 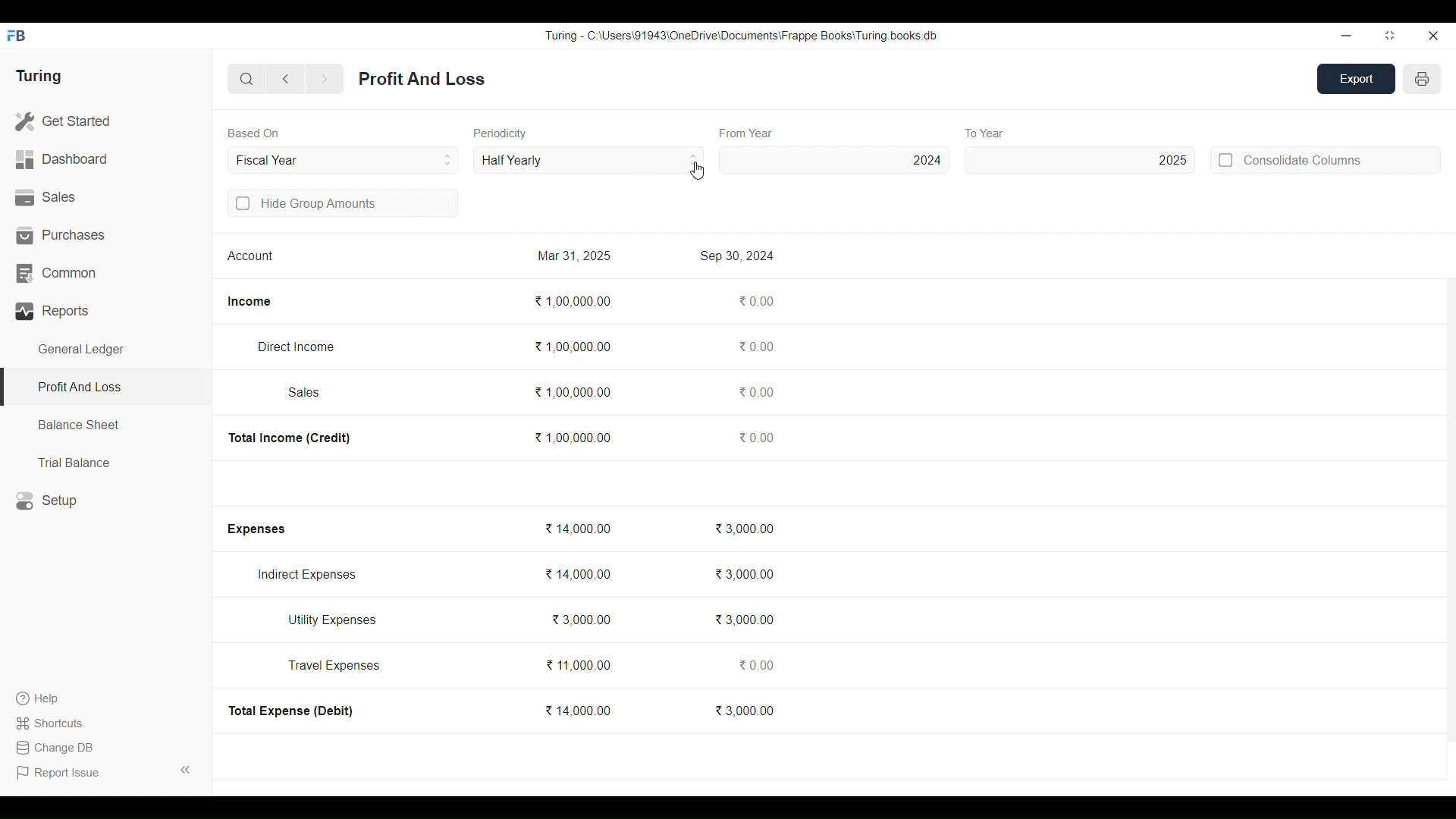 I want to click on Periodicity, so click(x=500, y=133).